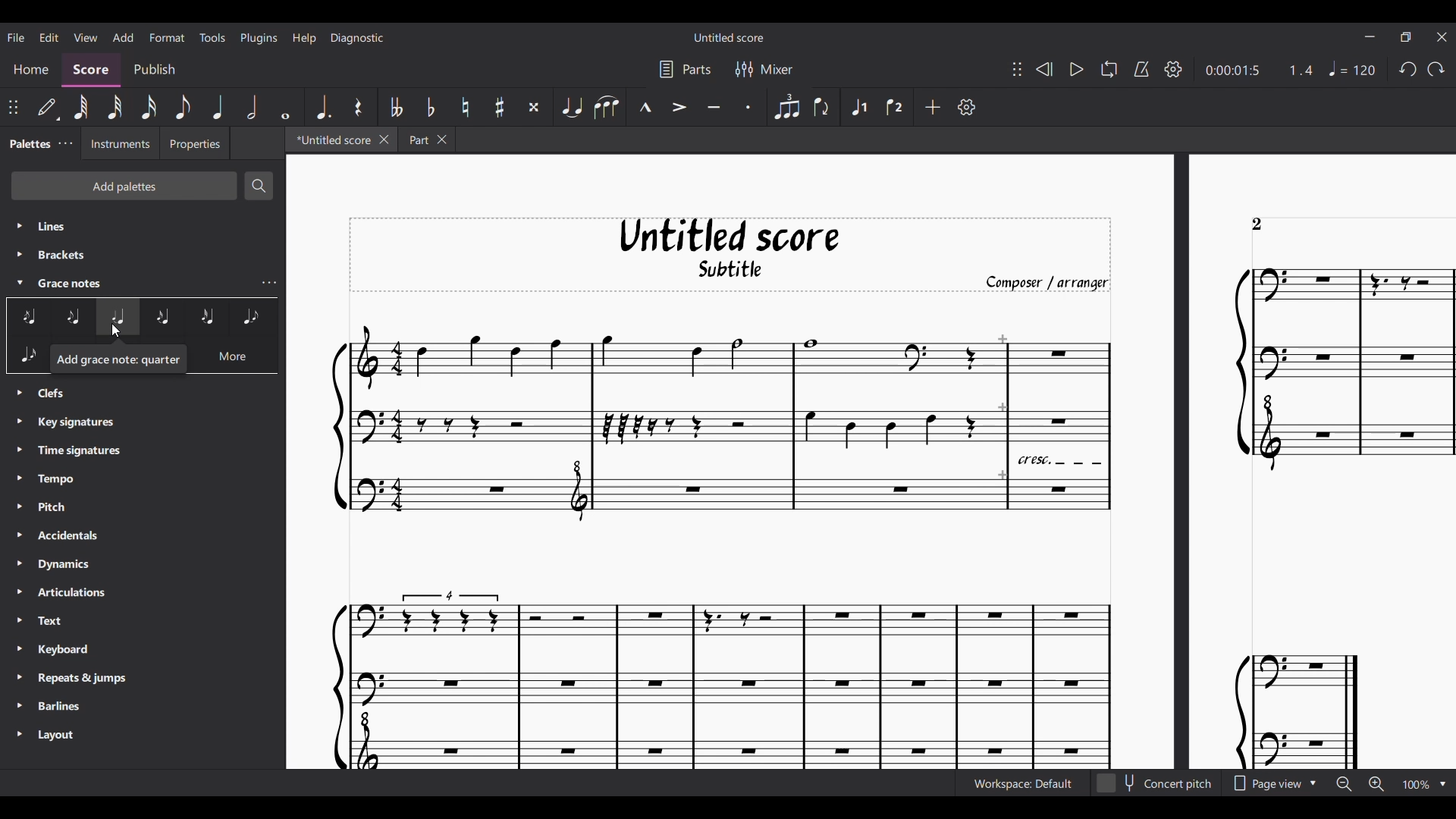 Image resolution: width=1456 pixels, height=819 pixels. What do you see at coordinates (1022, 783) in the screenshot?
I see `Current workspace setting` at bounding box center [1022, 783].